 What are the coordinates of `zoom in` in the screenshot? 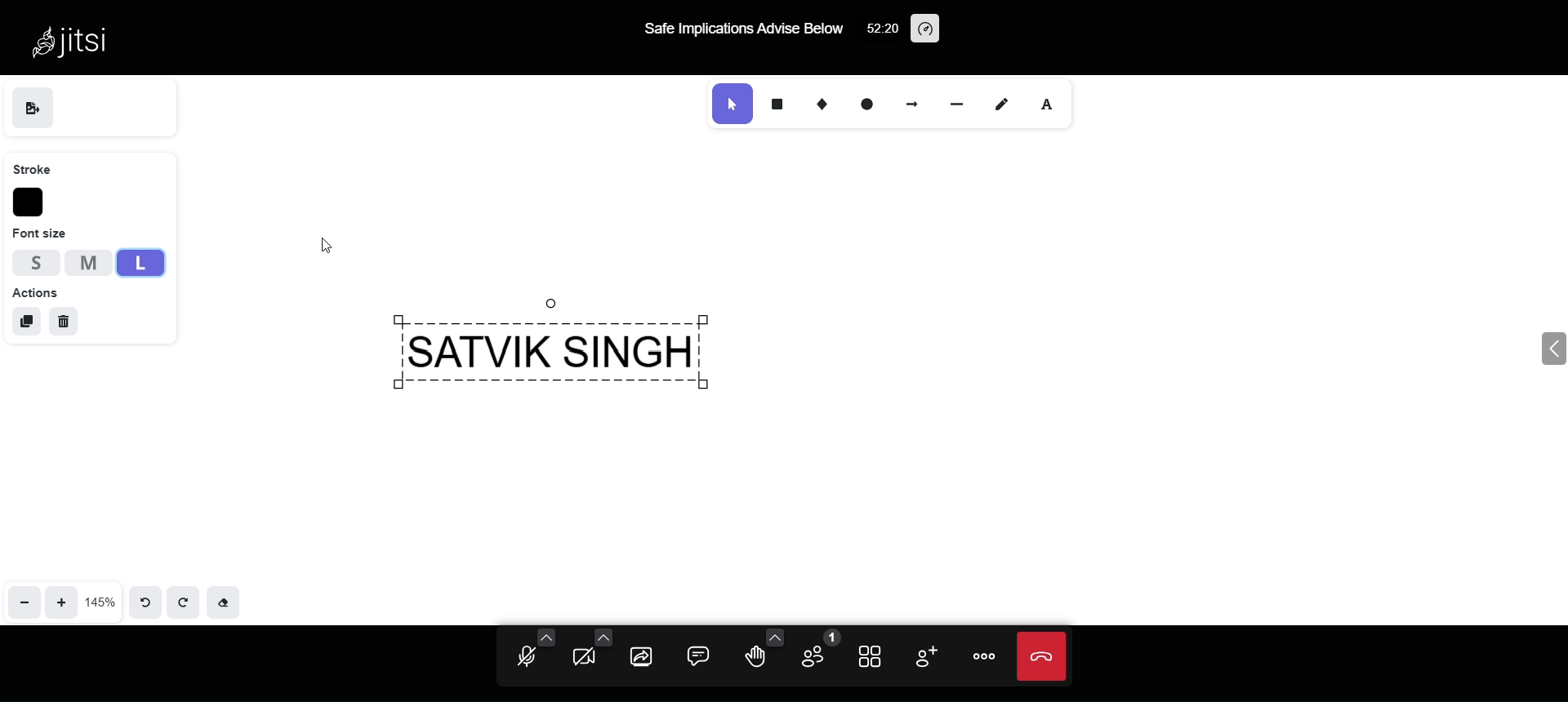 It's located at (63, 600).